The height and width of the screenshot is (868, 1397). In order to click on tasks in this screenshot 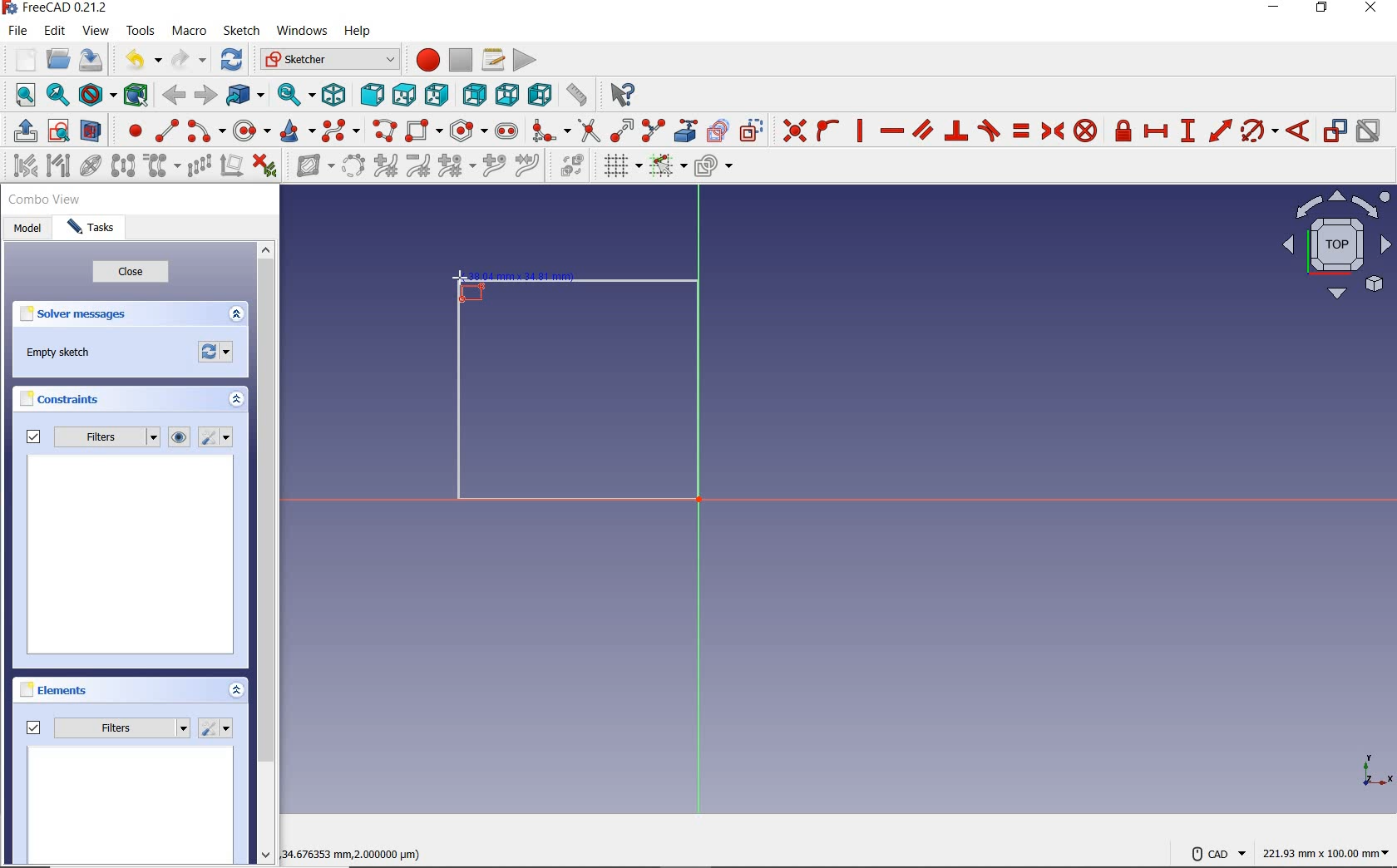, I will do `click(96, 229)`.